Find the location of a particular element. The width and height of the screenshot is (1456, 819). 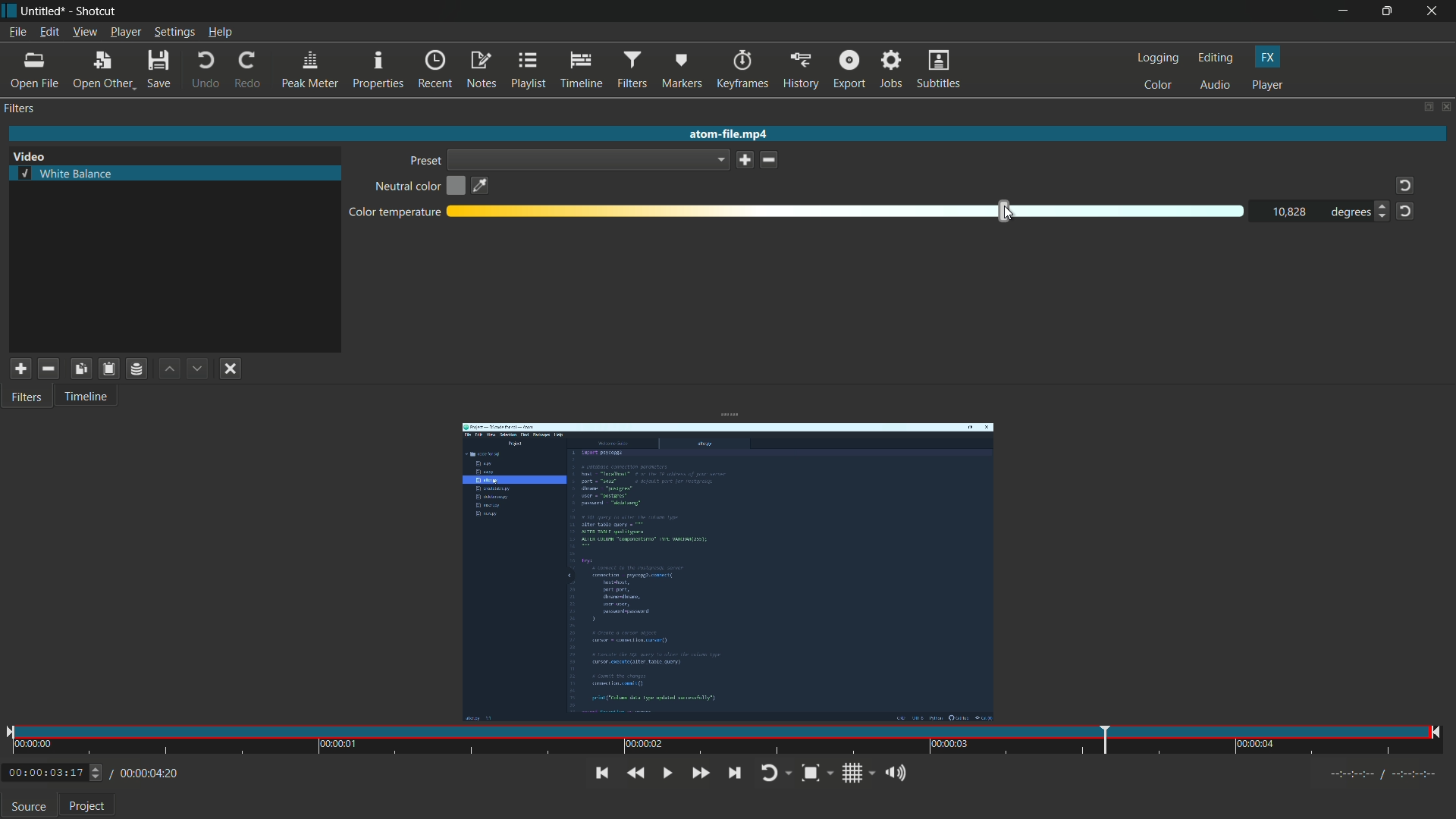

filters is located at coordinates (633, 70).